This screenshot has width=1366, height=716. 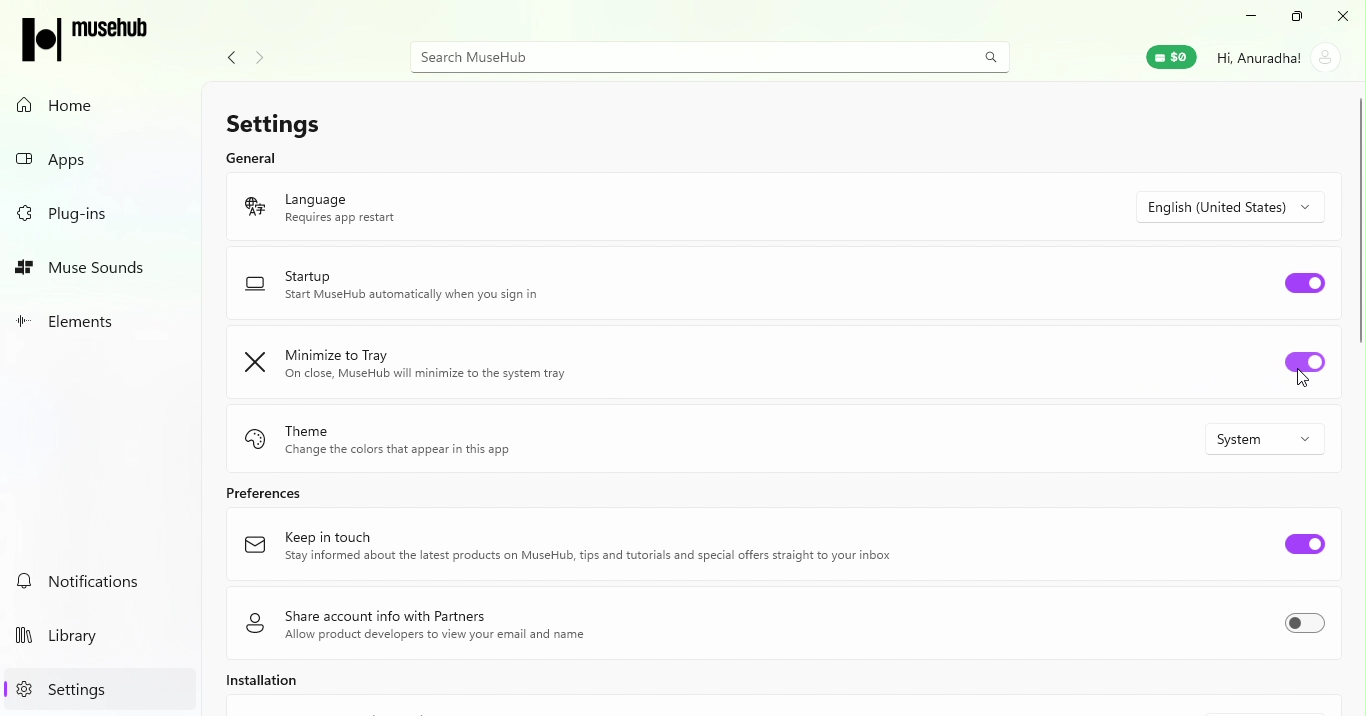 I want to click on scroll bar, so click(x=1357, y=219).